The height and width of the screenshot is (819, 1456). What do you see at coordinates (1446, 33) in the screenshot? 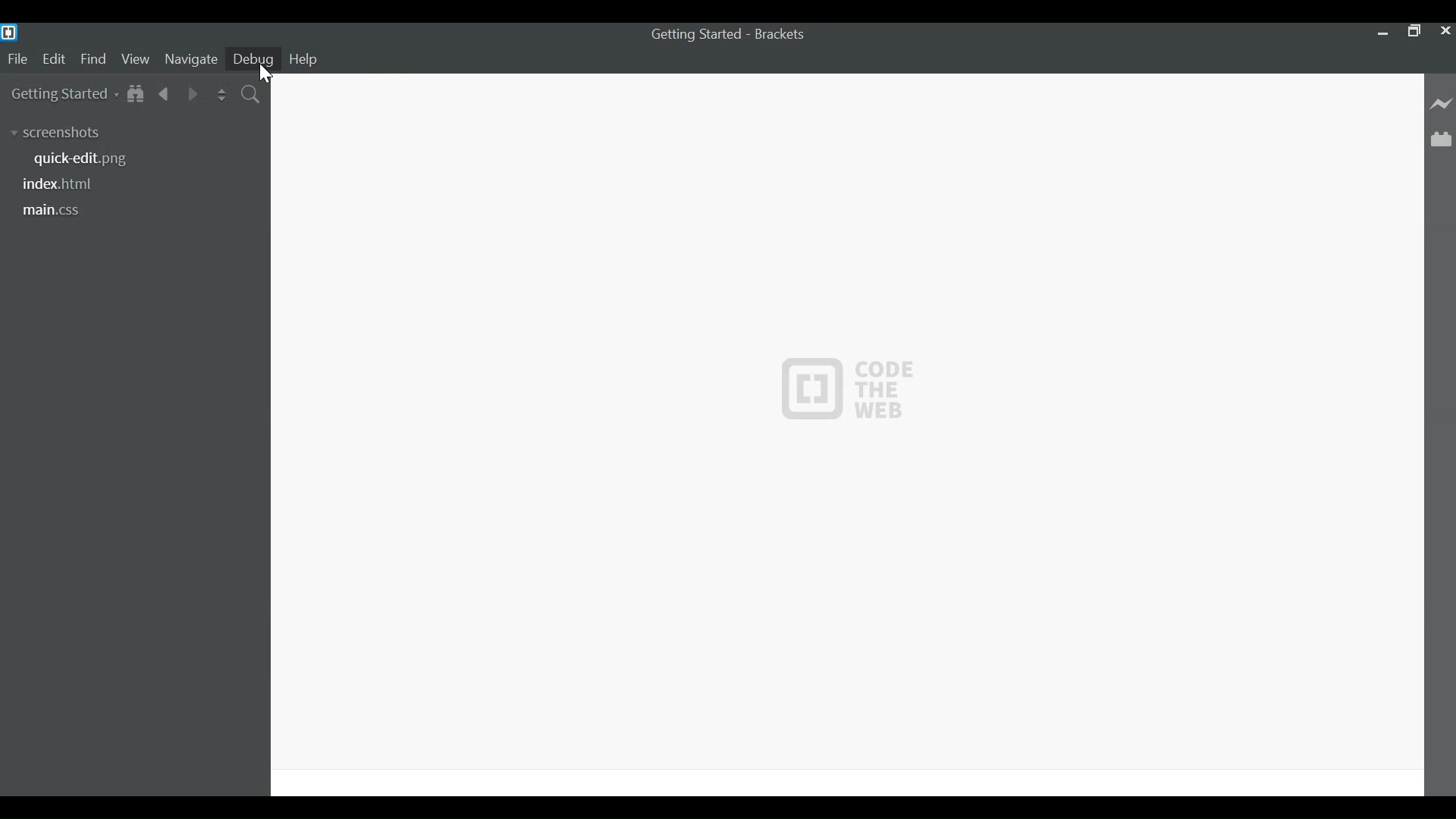
I see `Close` at bounding box center [1446, 33].